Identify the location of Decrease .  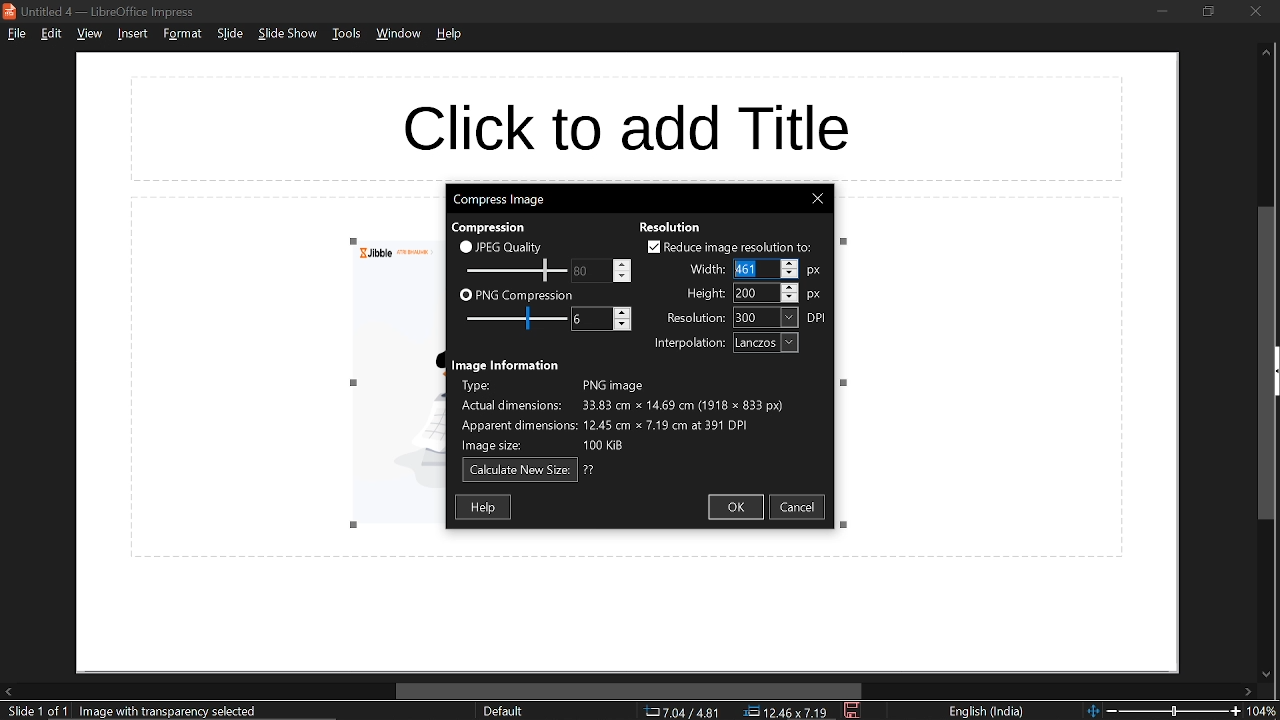
(791, 298).